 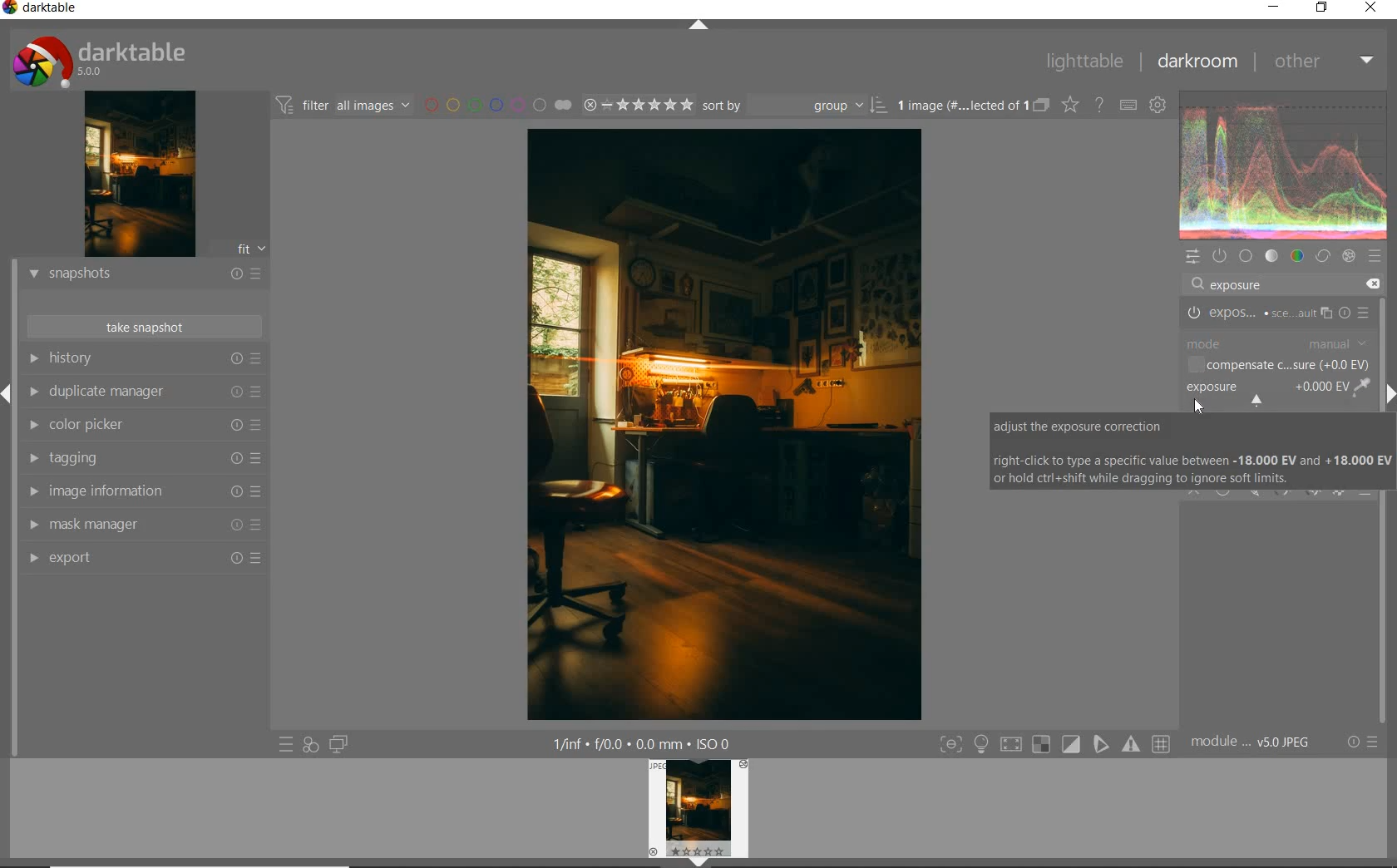 I want to click on set keyboard shortcuts, so click(x=1129, y=106).